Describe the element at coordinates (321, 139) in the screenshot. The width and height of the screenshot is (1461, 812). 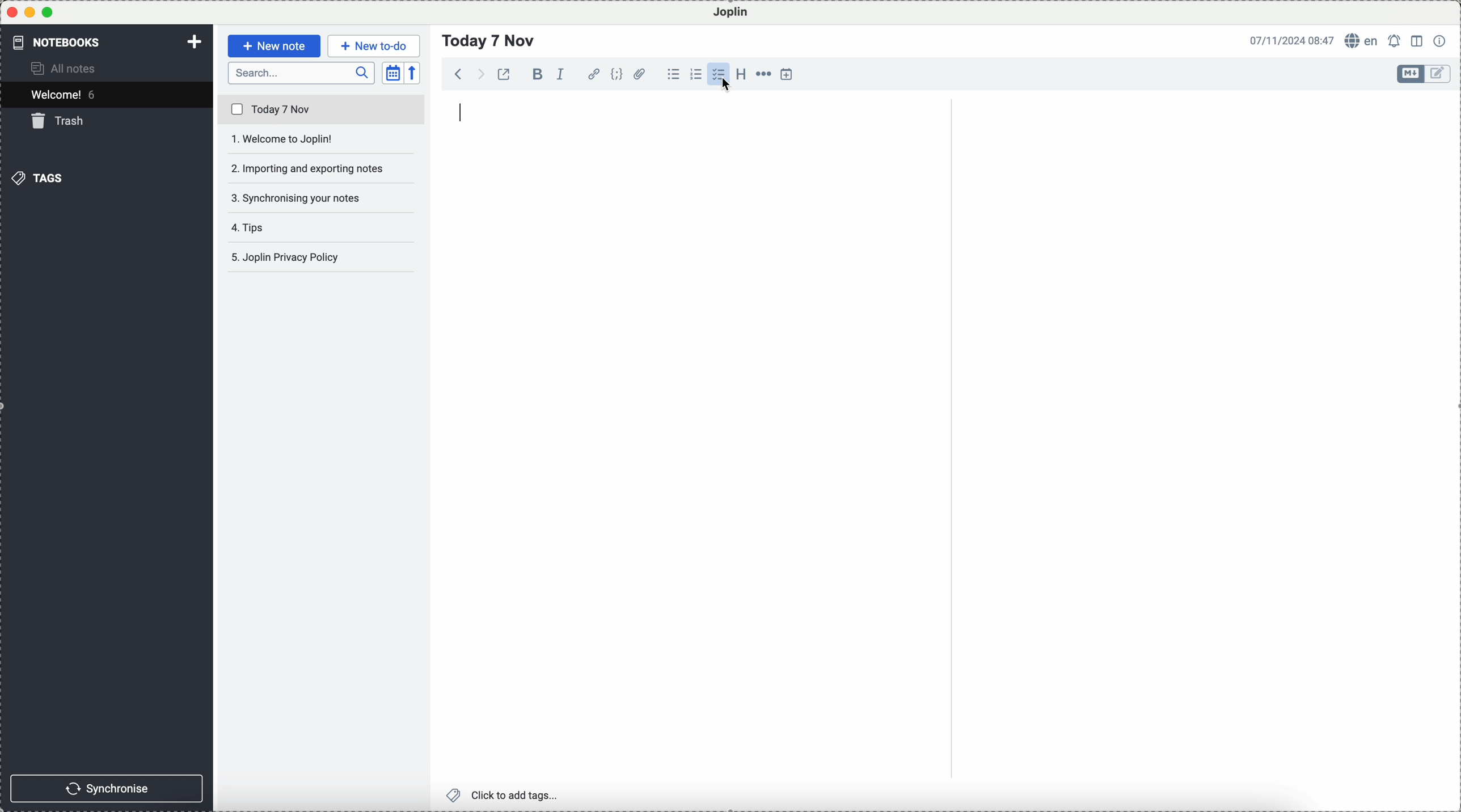
I see `welcome to Joplin` at that location.